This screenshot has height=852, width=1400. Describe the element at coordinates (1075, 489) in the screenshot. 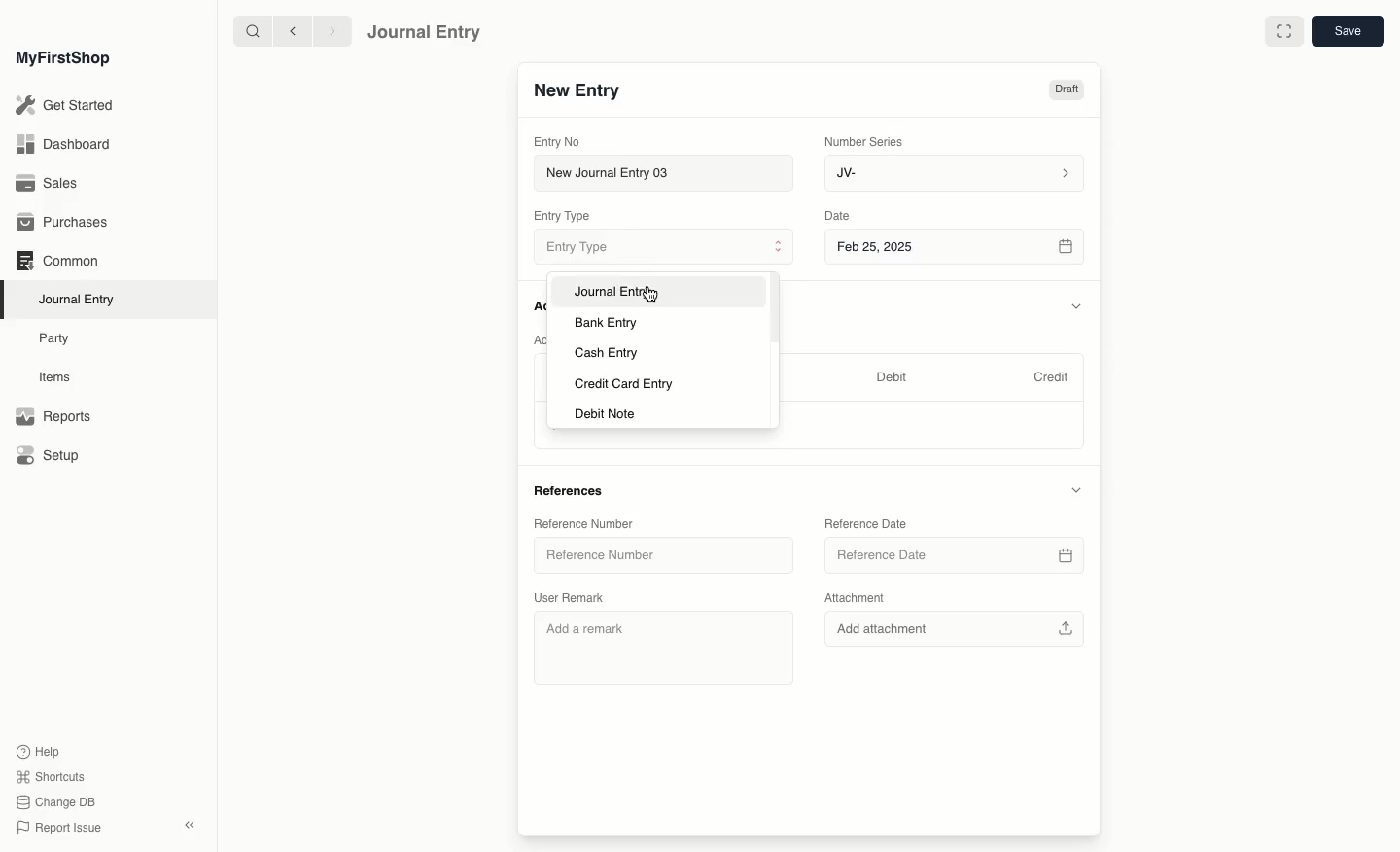

I see `Hide` at that location.